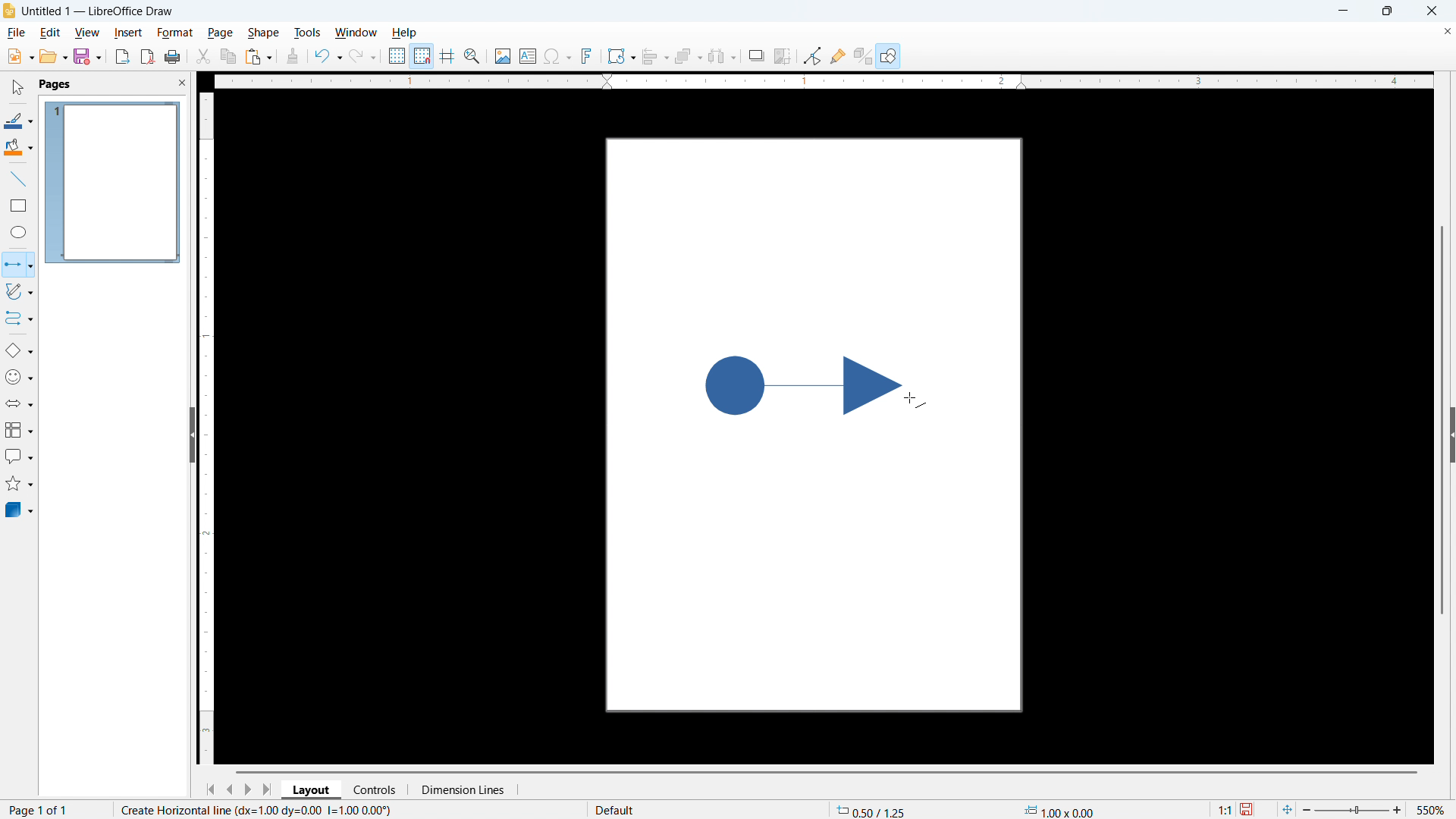  What do you see at coordinates (181, 82) in the screenshot?
I see `Close panel ` at bounding box center [181, 82].